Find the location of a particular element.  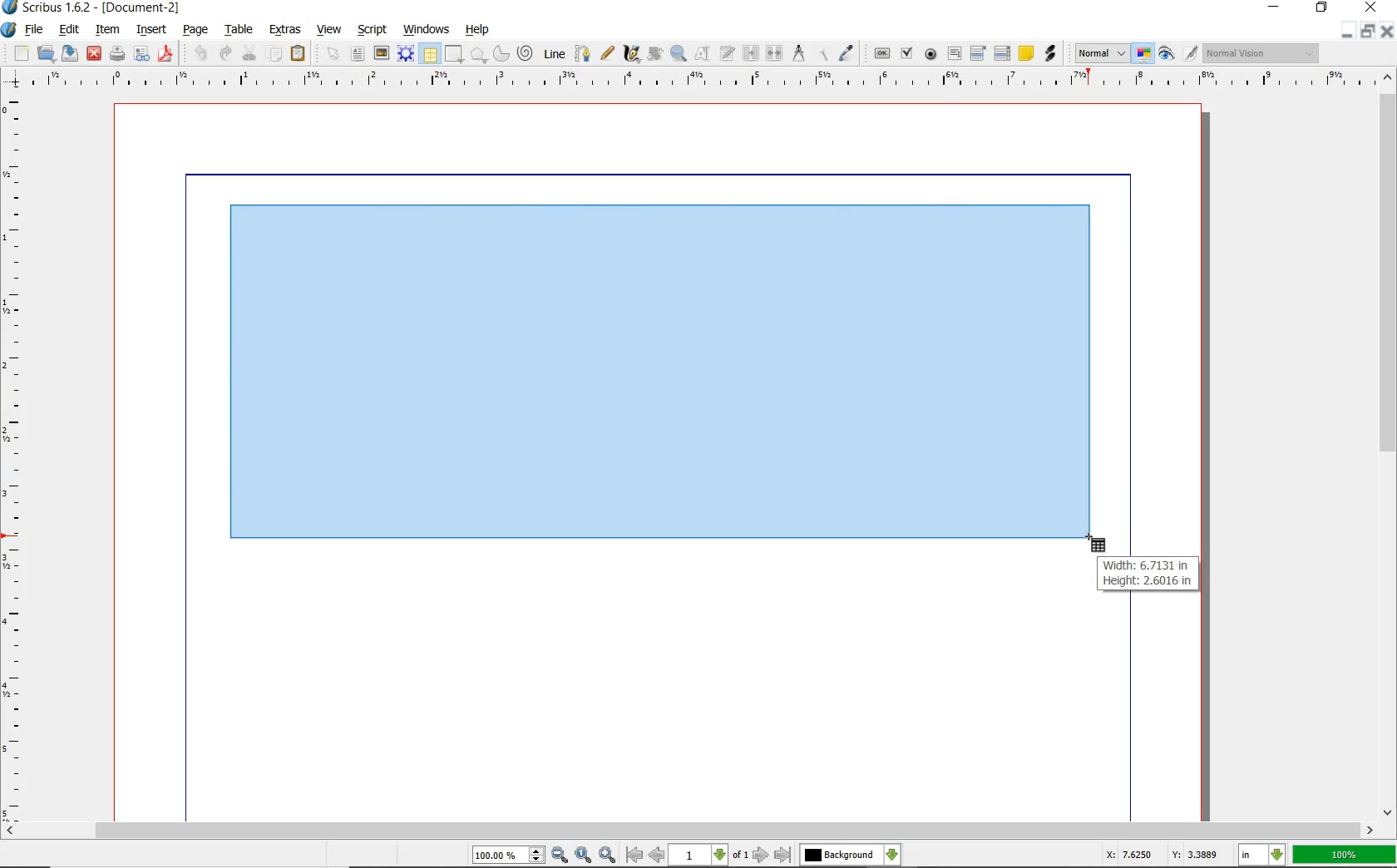

Width: 6.7131 in Height: 2.6016 in is located at coordinates (1149, 573).